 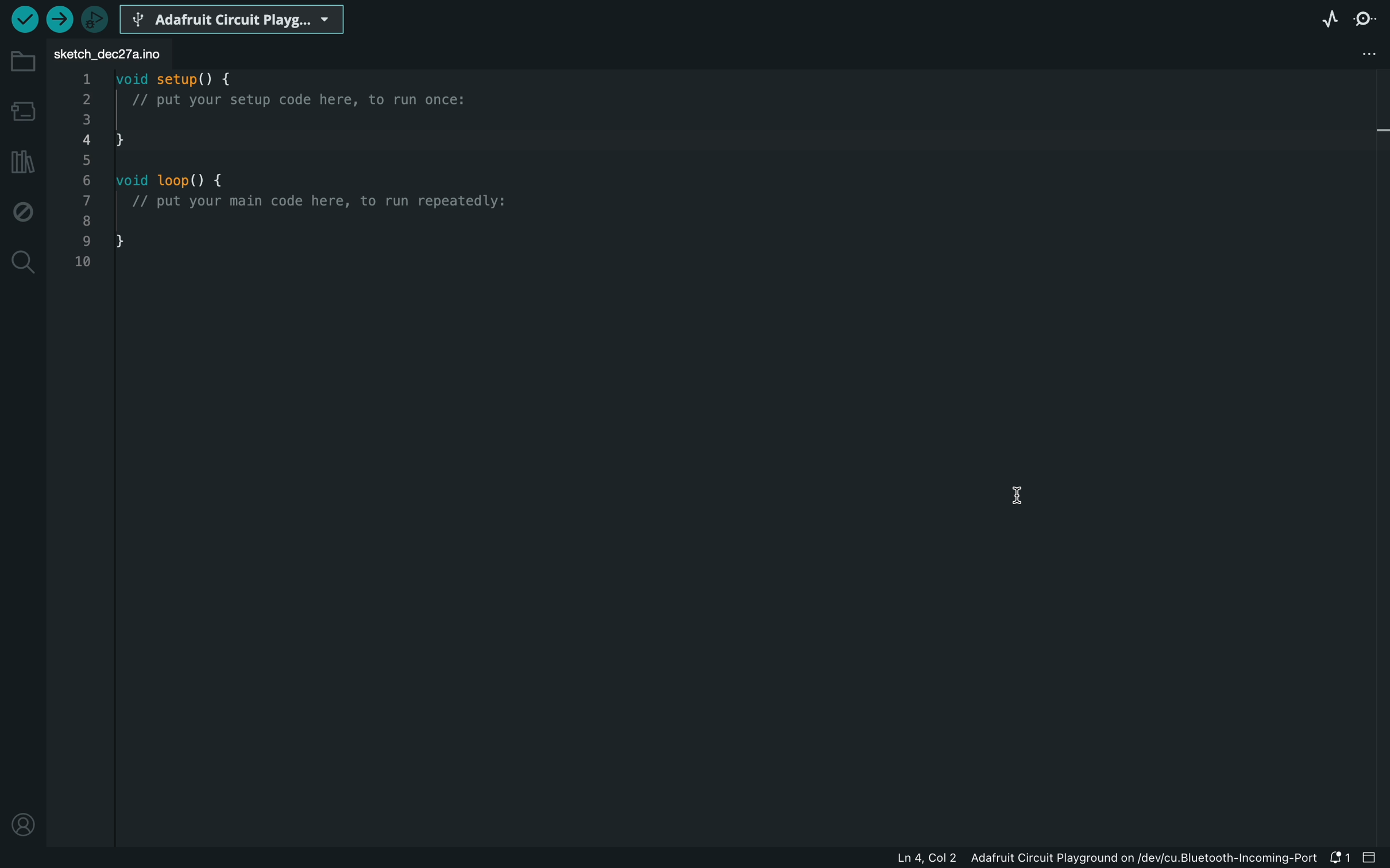 What do you see at coordinates (23, 208) in the screenshot?
I see `debug` at bounding box center [23, 208].